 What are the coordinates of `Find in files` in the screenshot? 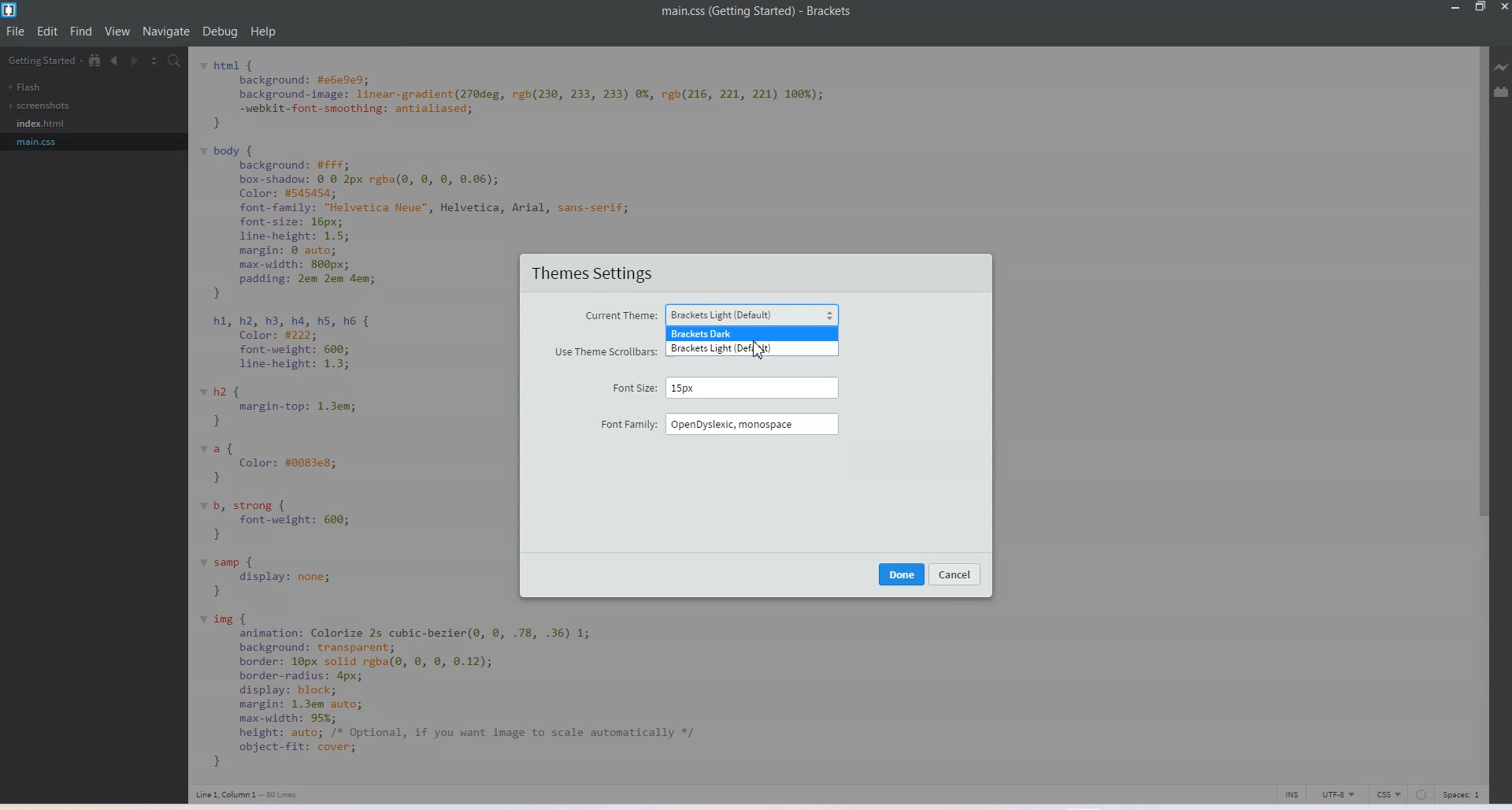 It's located at (176, 62).